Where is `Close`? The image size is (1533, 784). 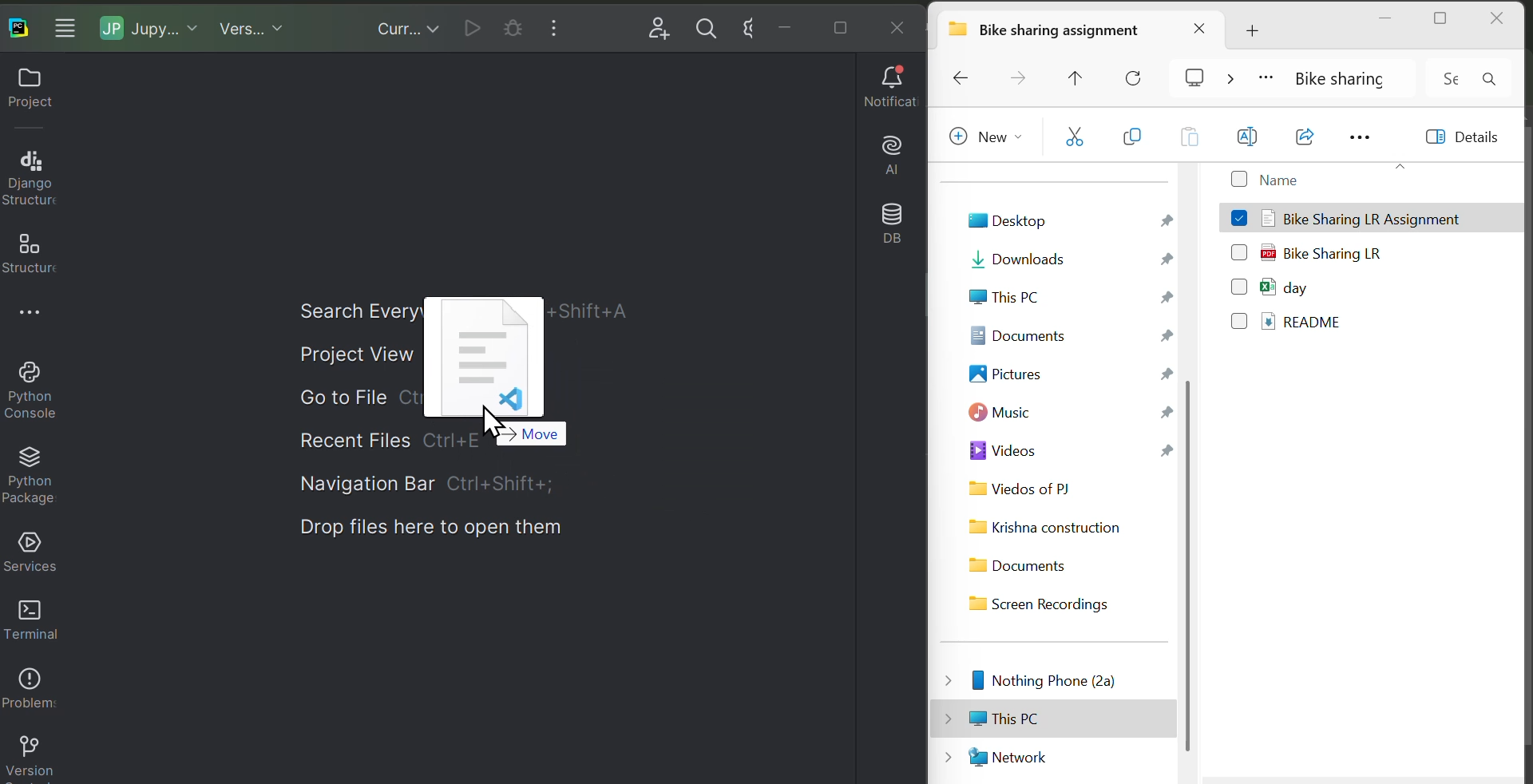 Close is located at coordinates (897, 28).